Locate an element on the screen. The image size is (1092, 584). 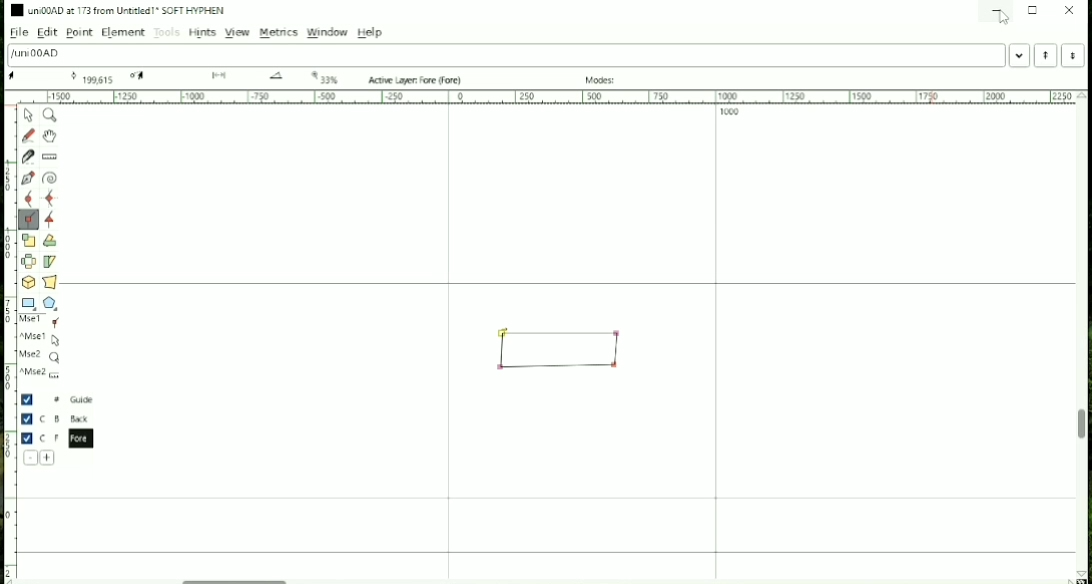
Hints is located at coordinates (202, 34).